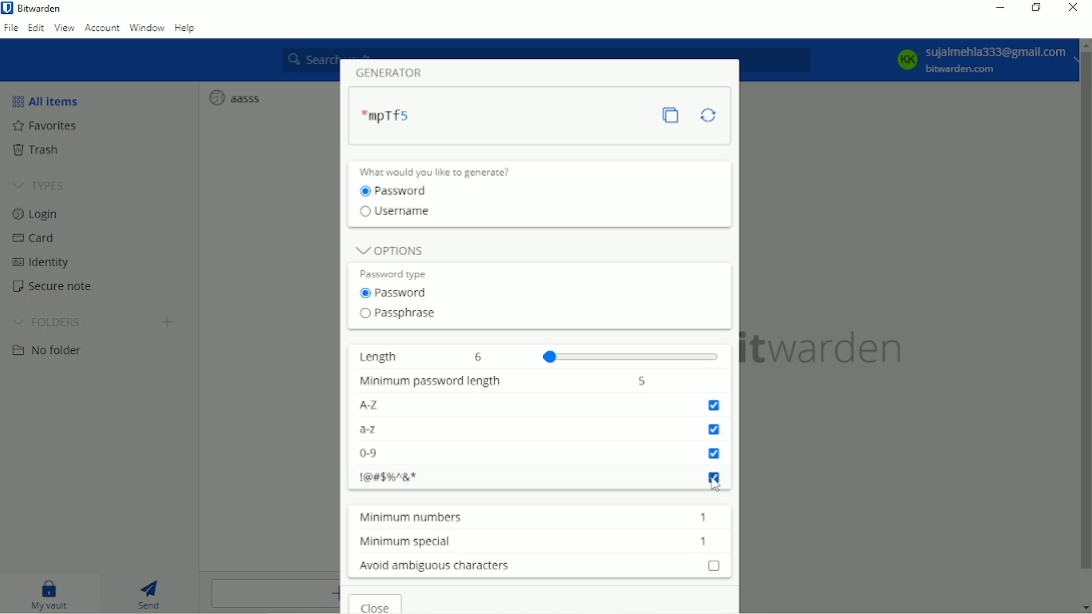  What do you see at coordinates (982, 61) in the screenshot?
I see `Account option` at bounding box center [982, 61].